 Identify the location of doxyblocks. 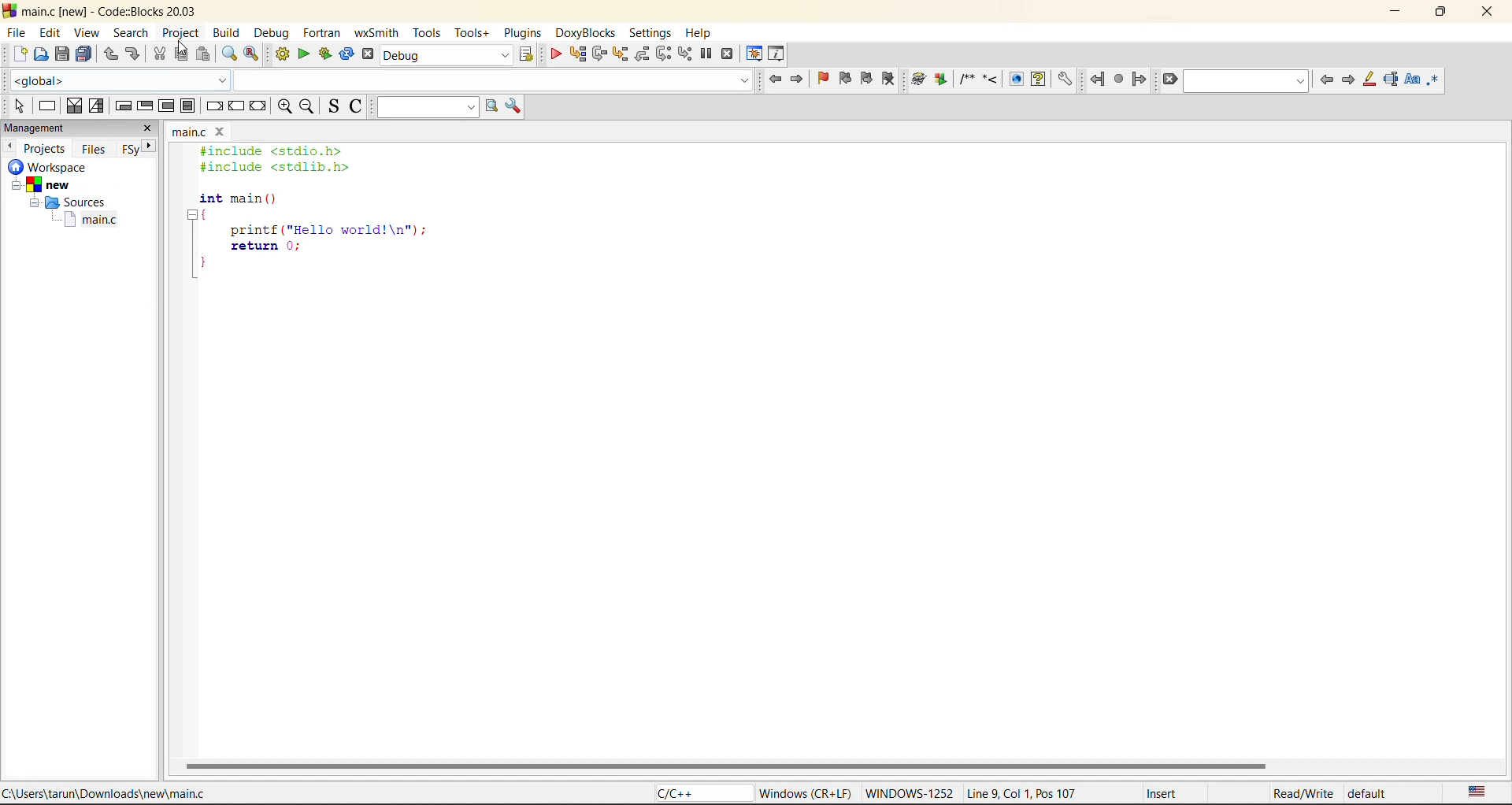
(584, 33).